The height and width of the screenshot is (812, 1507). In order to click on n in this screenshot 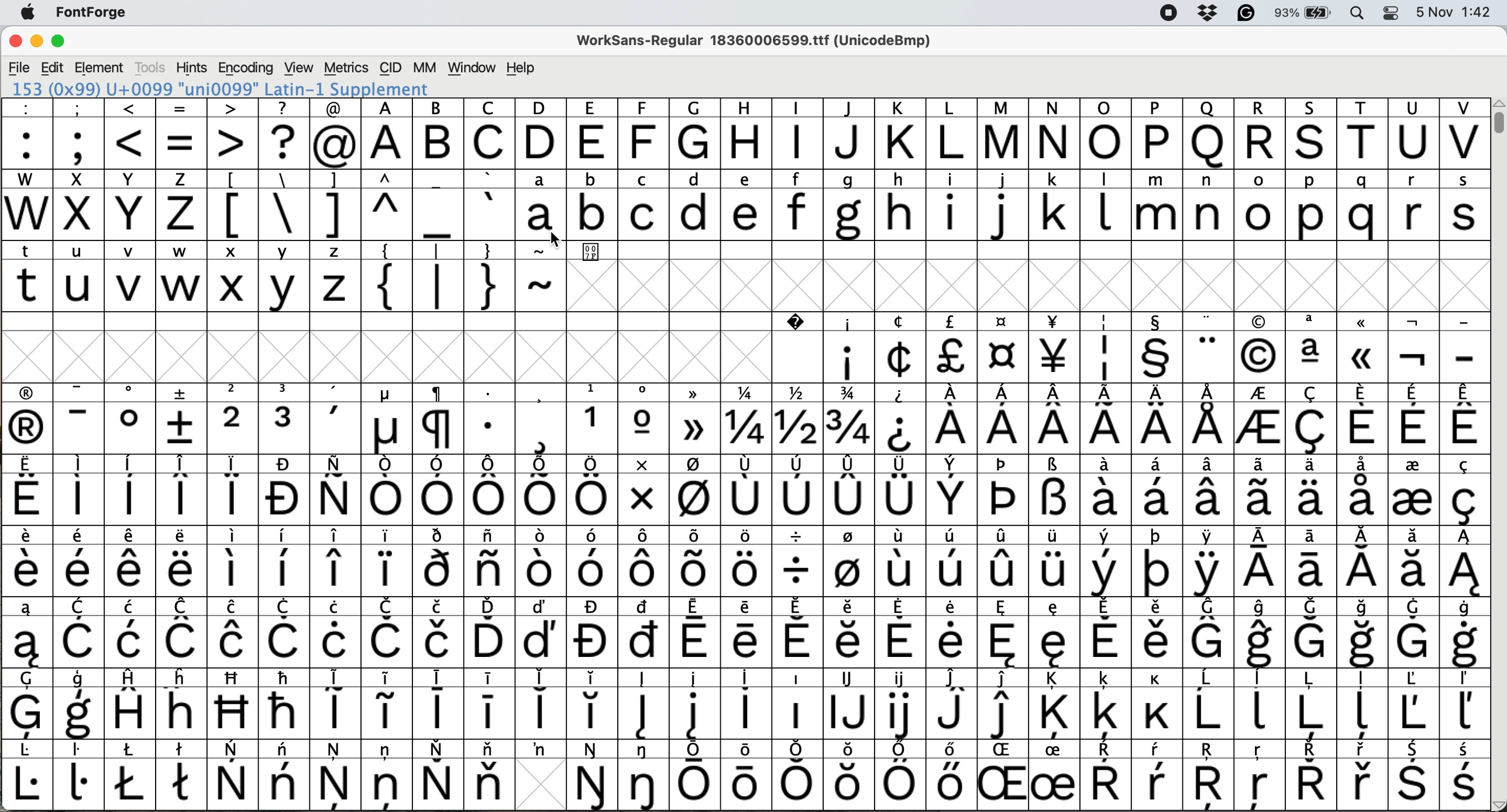, I will do `click(1208, 204)`.